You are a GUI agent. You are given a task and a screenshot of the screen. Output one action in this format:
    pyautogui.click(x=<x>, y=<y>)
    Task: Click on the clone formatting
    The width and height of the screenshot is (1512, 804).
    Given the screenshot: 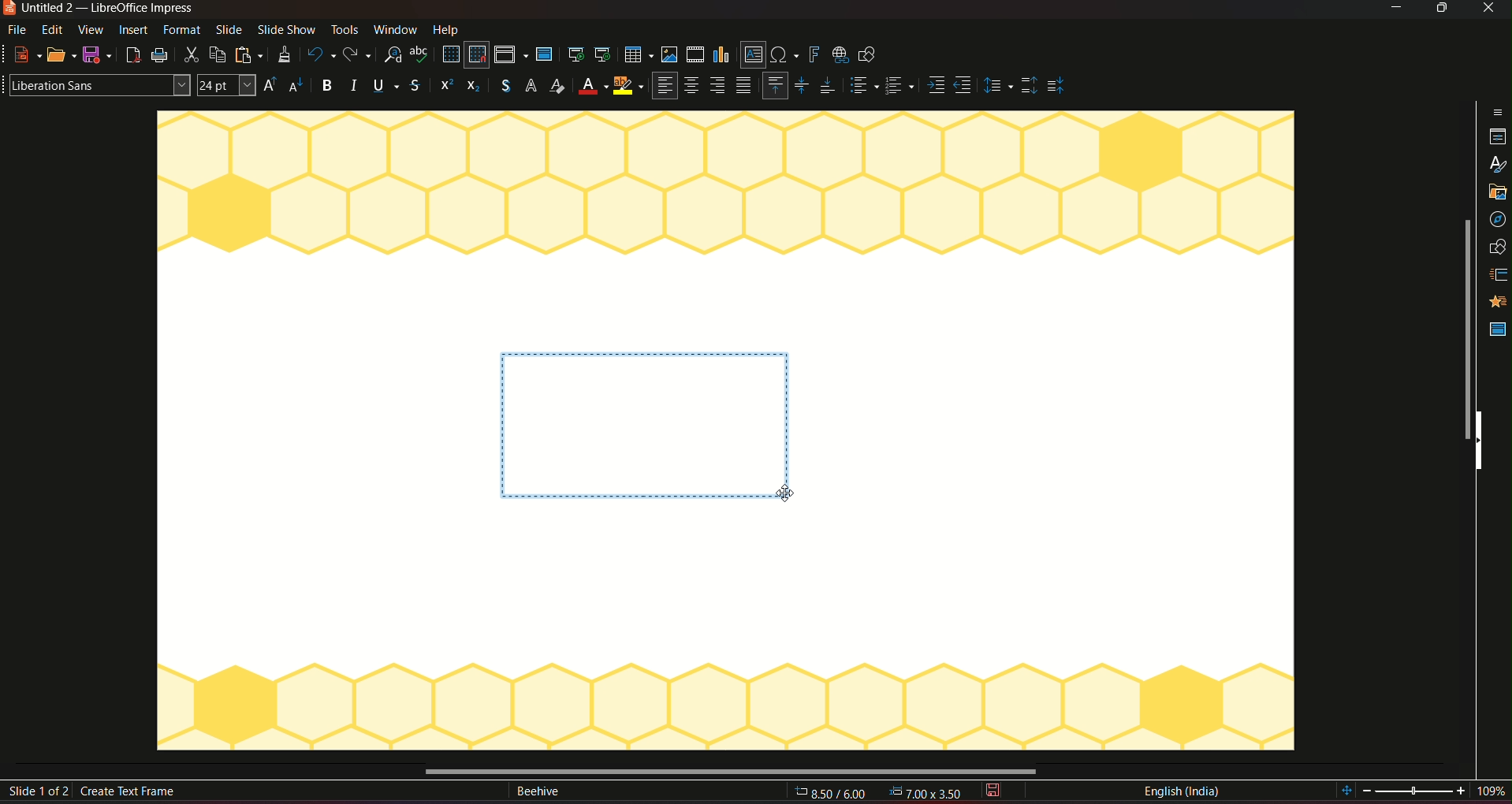 What is the action you would take?
    pyautogui.click(x=282, y=55)
    